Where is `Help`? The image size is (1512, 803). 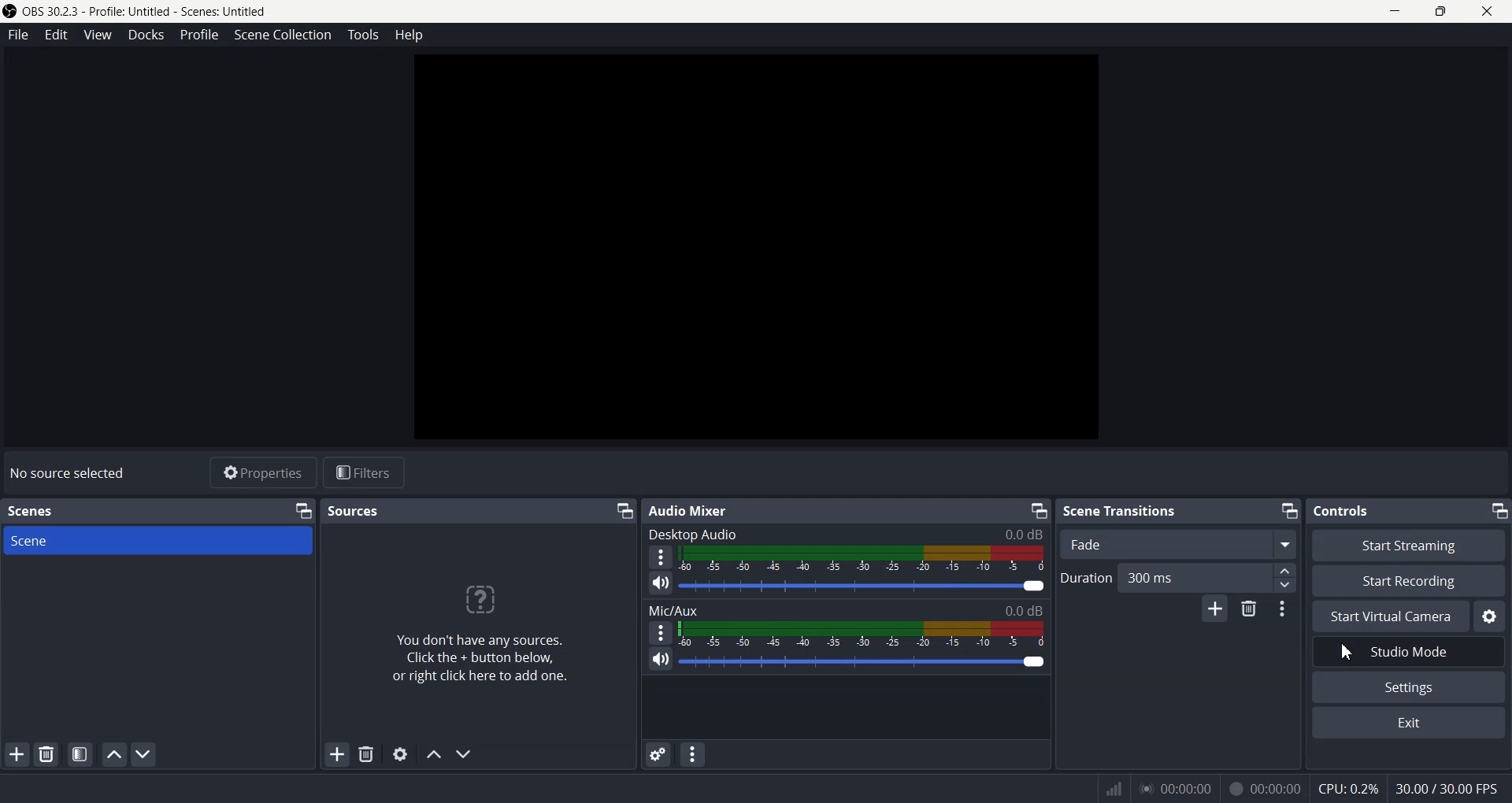
Help is located at coordinates (406, 35).